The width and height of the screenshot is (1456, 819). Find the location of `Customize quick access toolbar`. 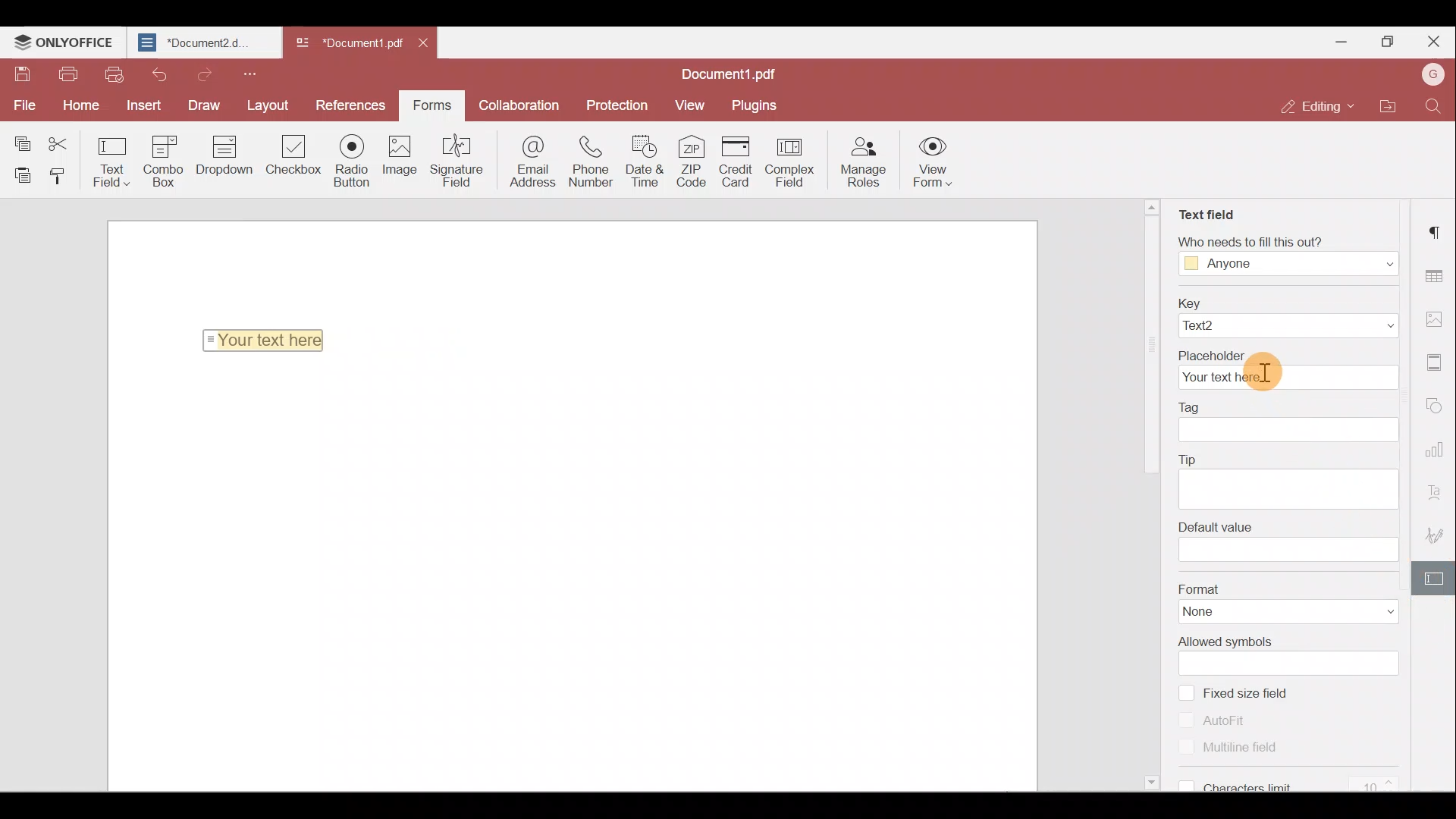

Customize quick access toolbar is located at coordinates (255, 73).